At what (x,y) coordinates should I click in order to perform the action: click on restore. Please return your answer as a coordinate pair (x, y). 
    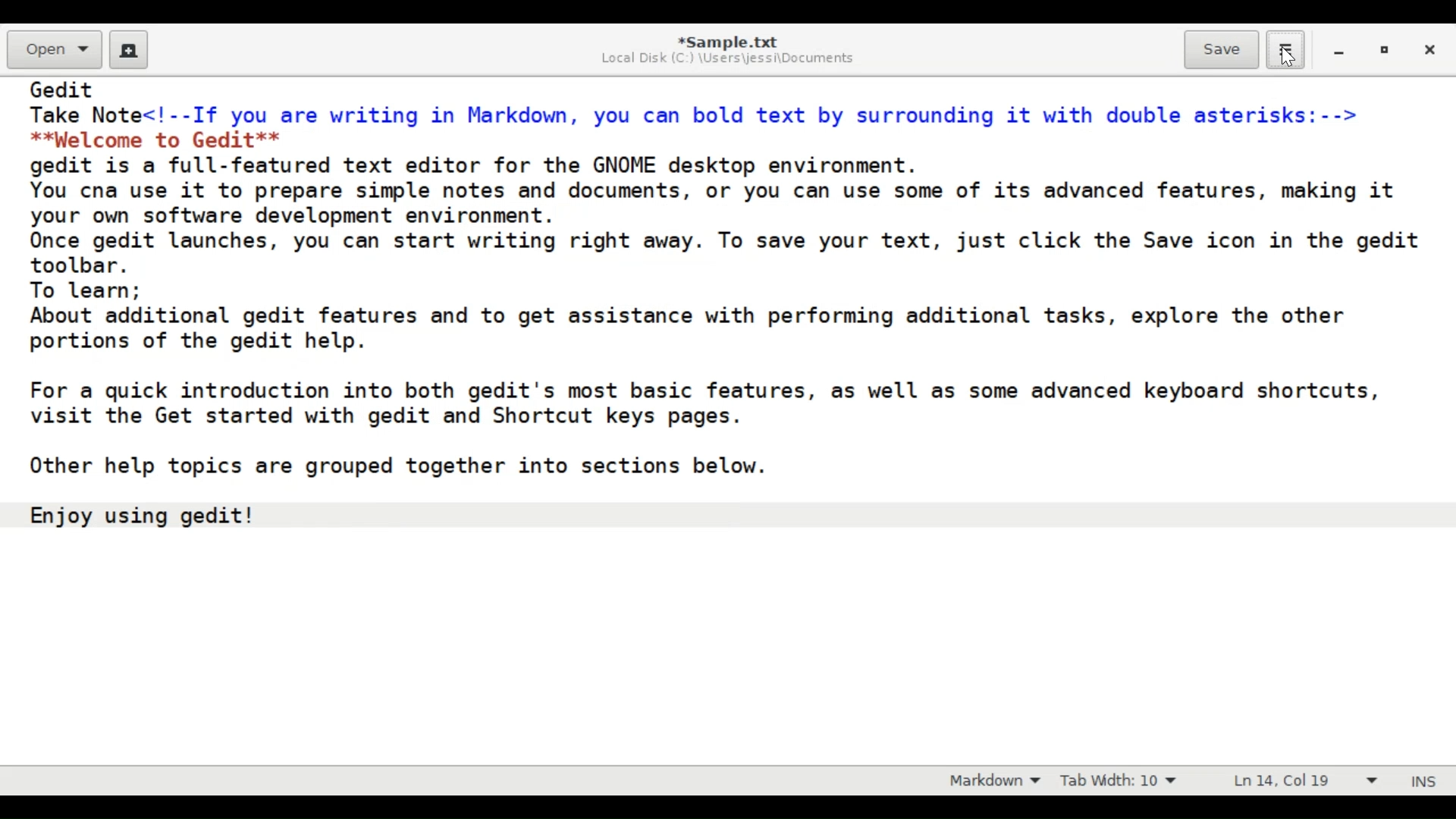
    Looking at the image, I should click on (1385, 52).